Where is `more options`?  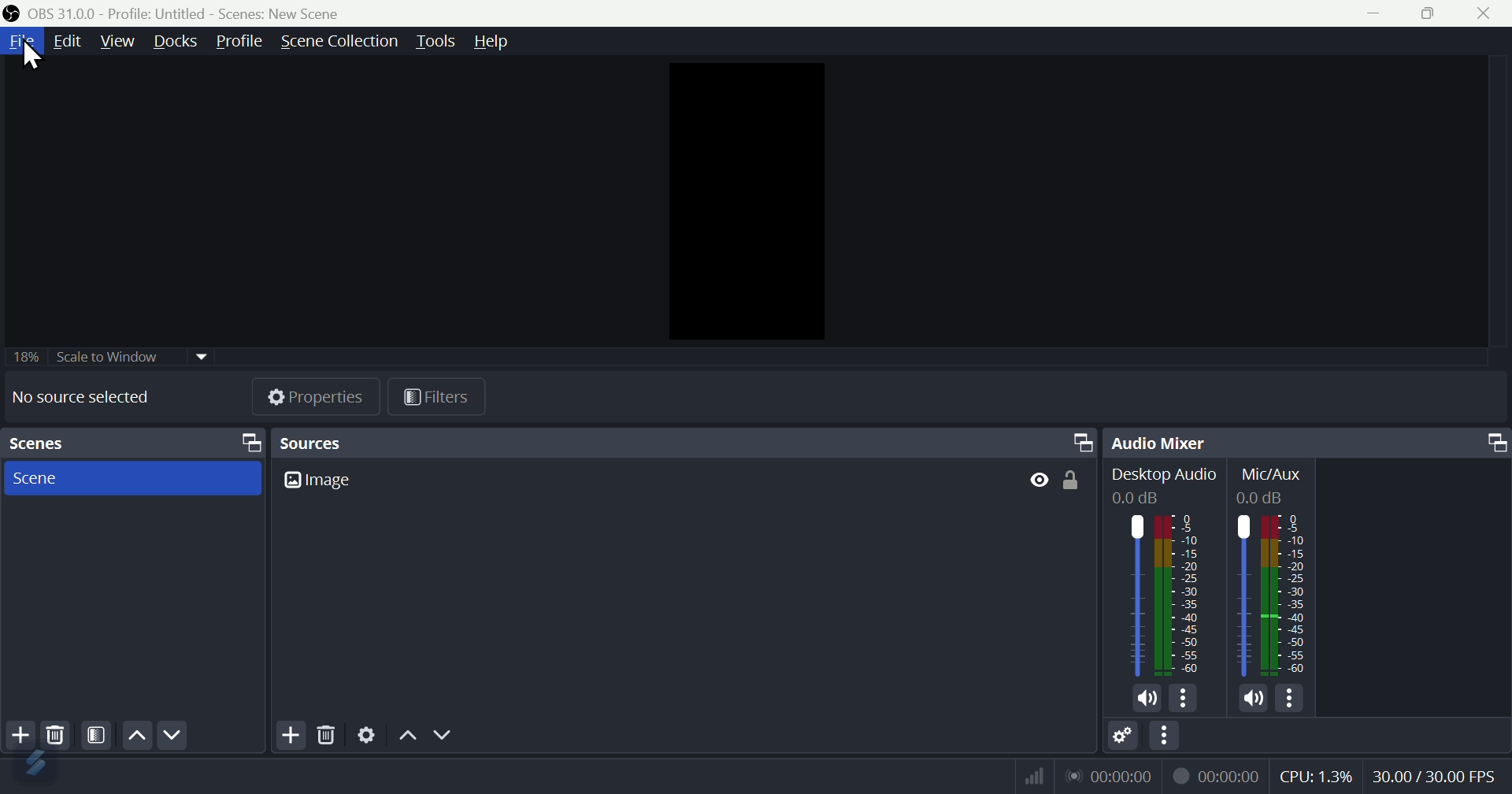
more options is located at coordinates (1188, 699).